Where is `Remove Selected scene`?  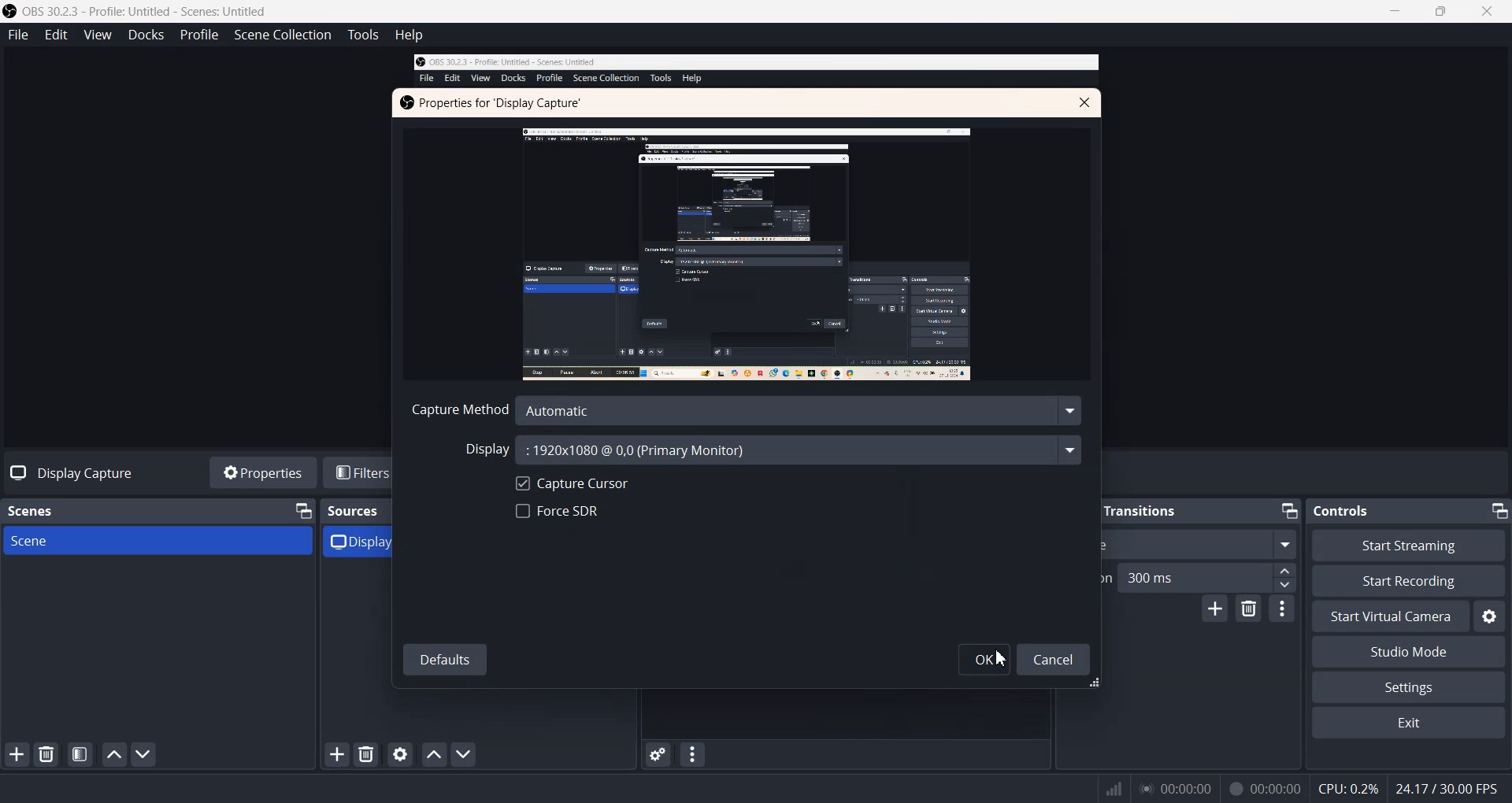
Remove Selected scene is located at coordinates (47, 754).